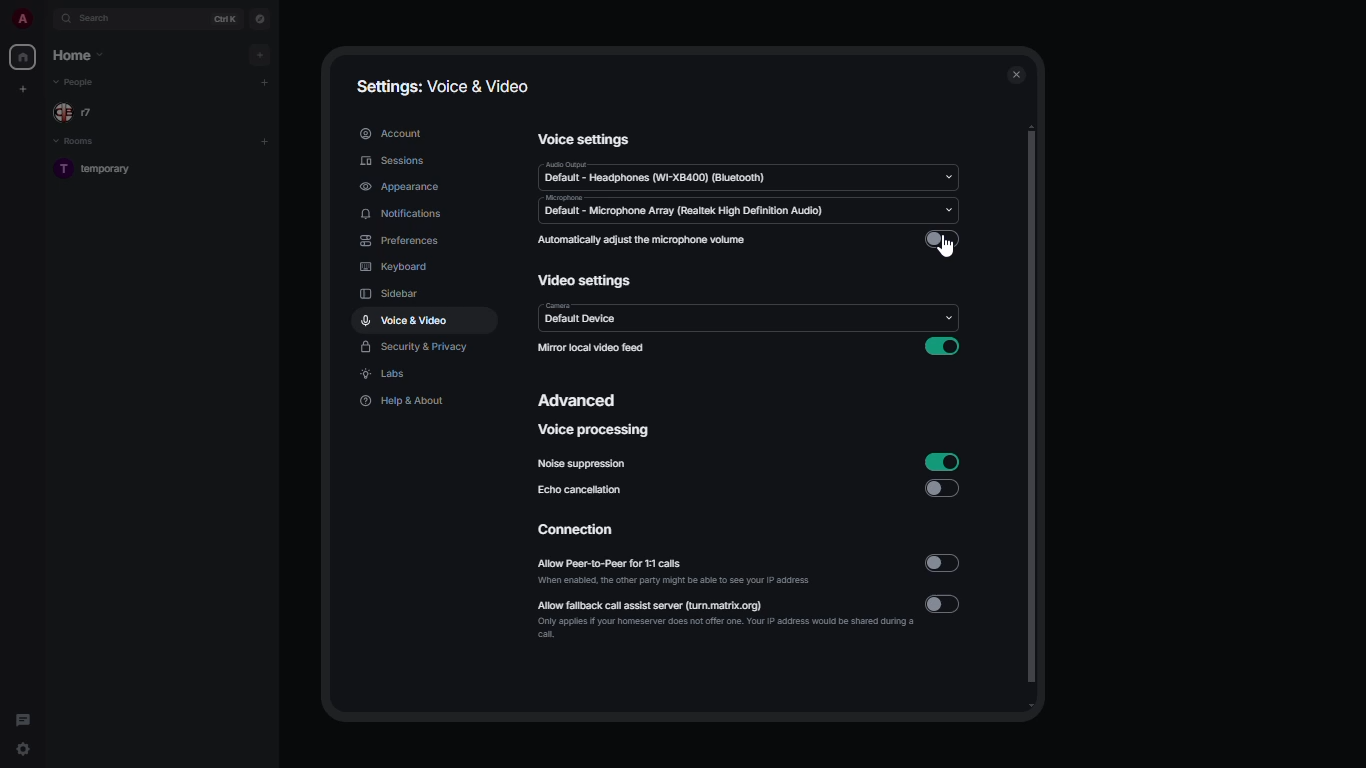 Image resolution: width=1366 pixels, height=768 pixels. I want to click on search, so click(95, 19).